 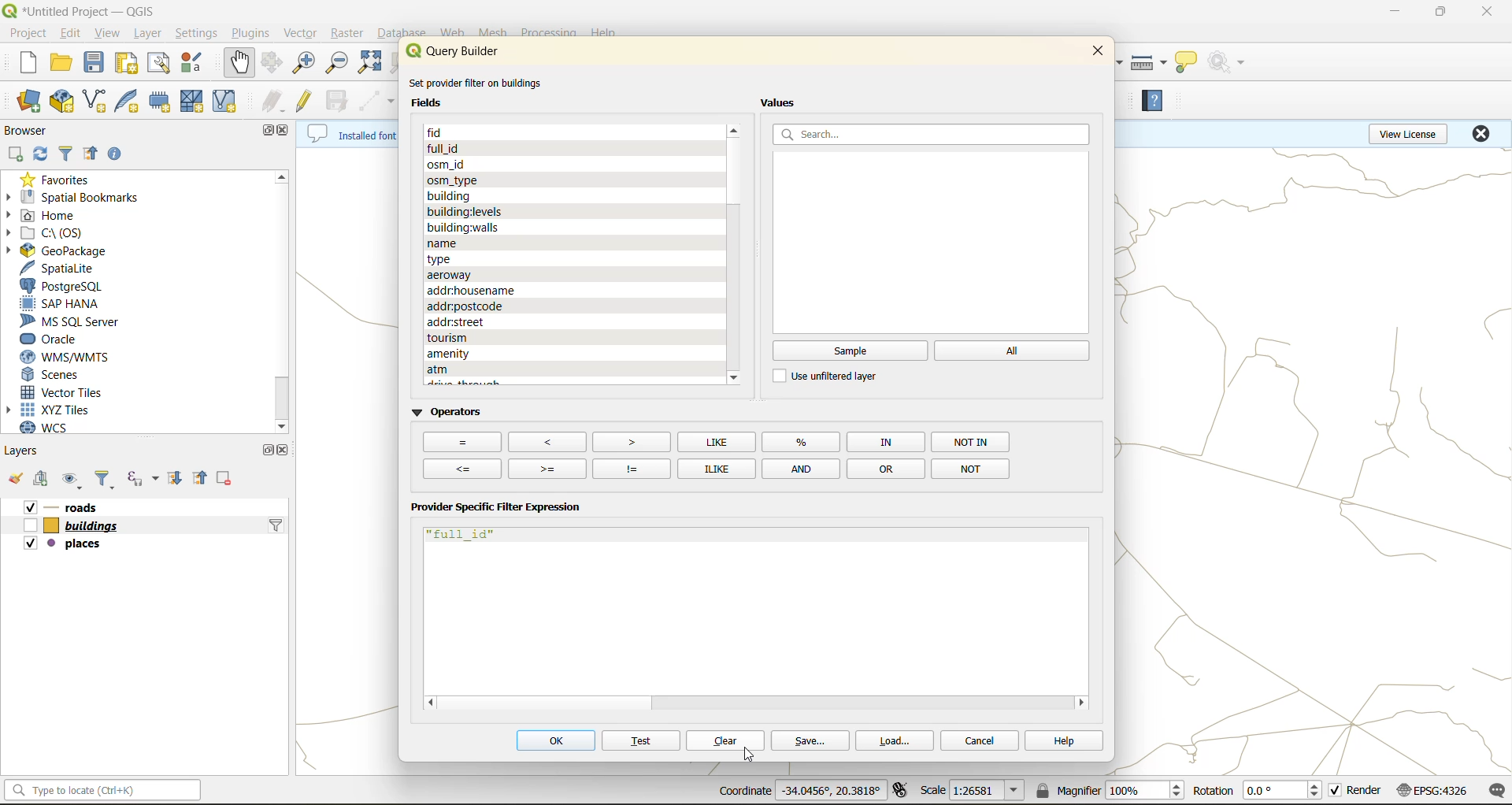 What do you see at coordinates (461, 443) in the screenshot?
I see `` at bounding box center [461, 443].